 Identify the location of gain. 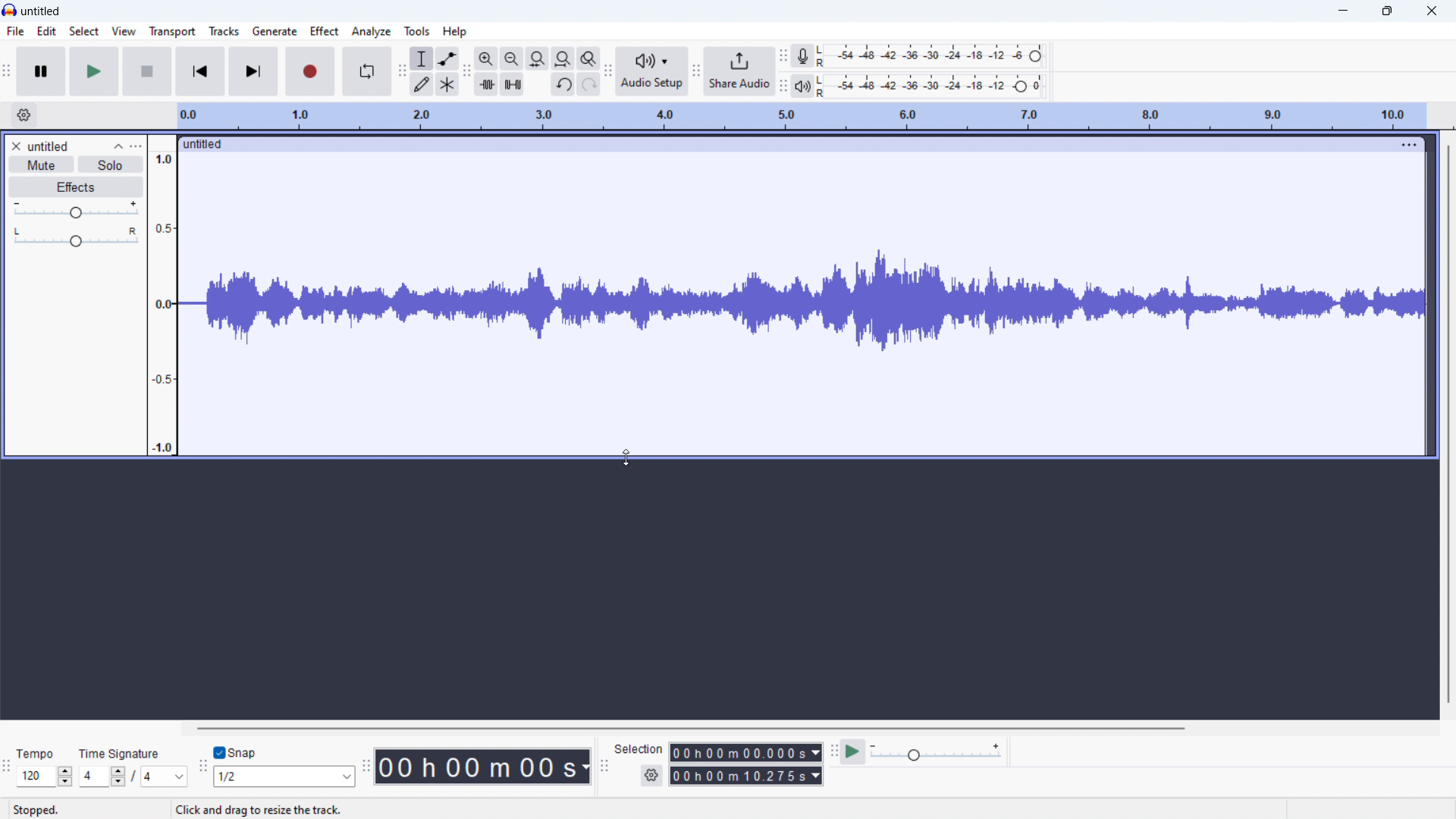
(77, 210).